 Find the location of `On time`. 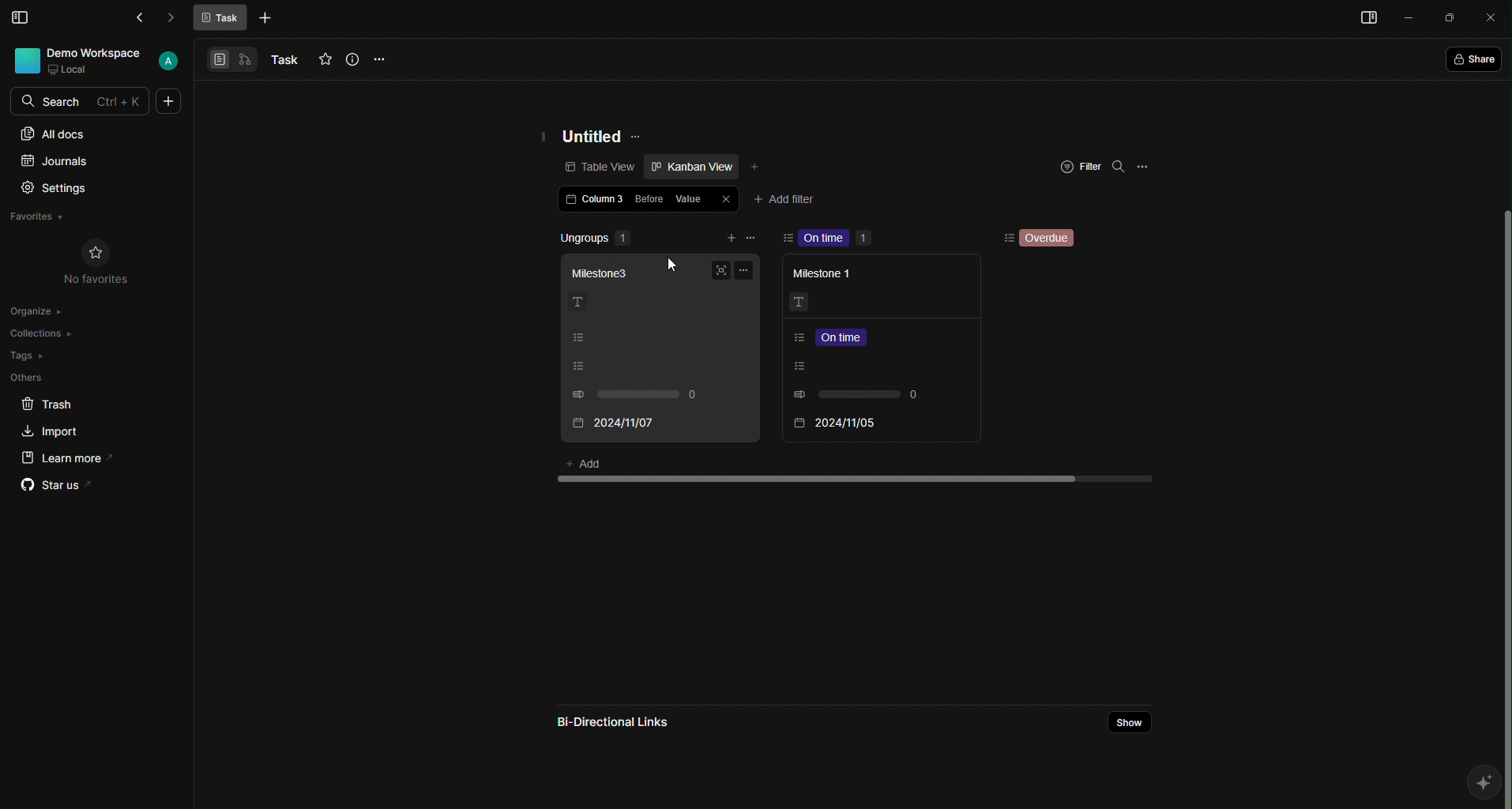

On time is located at coordinates (841, 238).